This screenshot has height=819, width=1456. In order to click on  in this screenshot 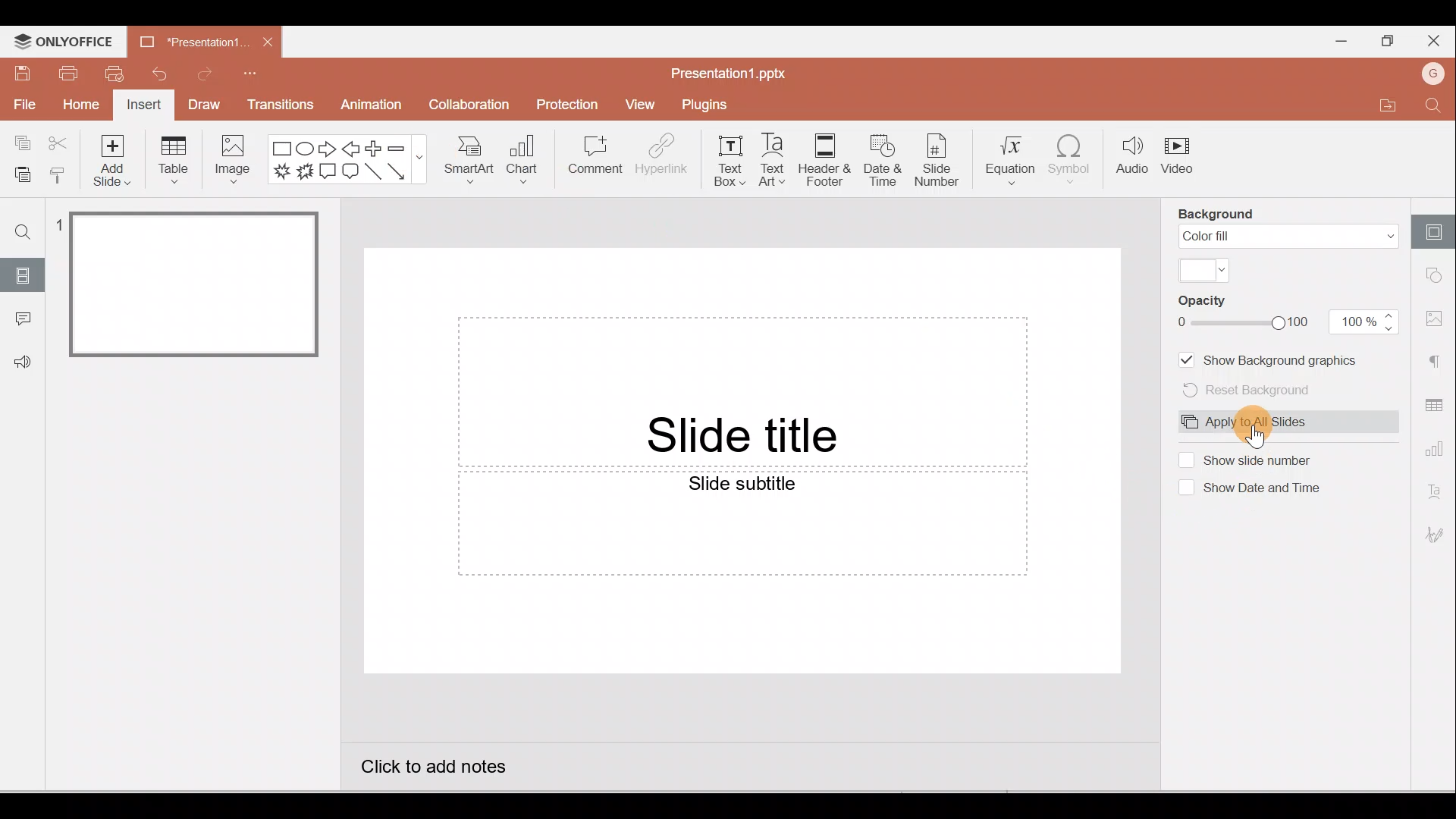, I will do `click(57, 222)`.